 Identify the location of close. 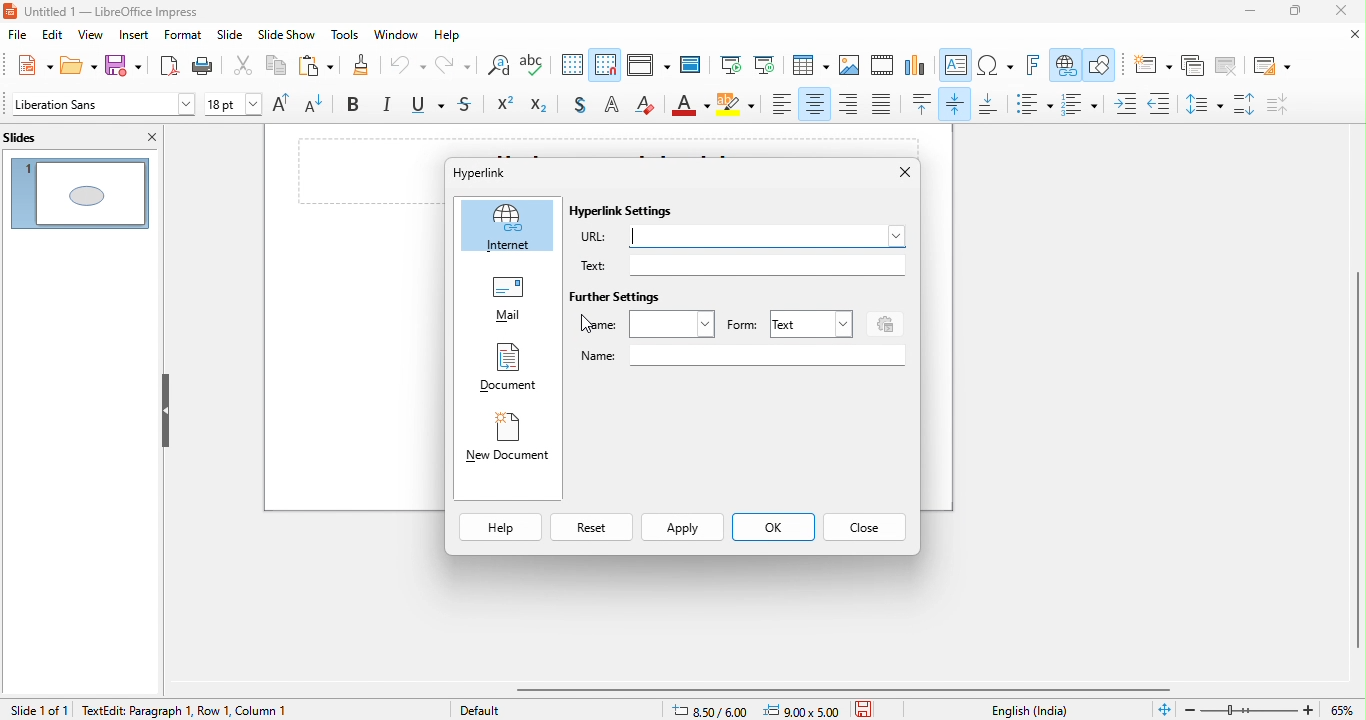
(1346, 12).